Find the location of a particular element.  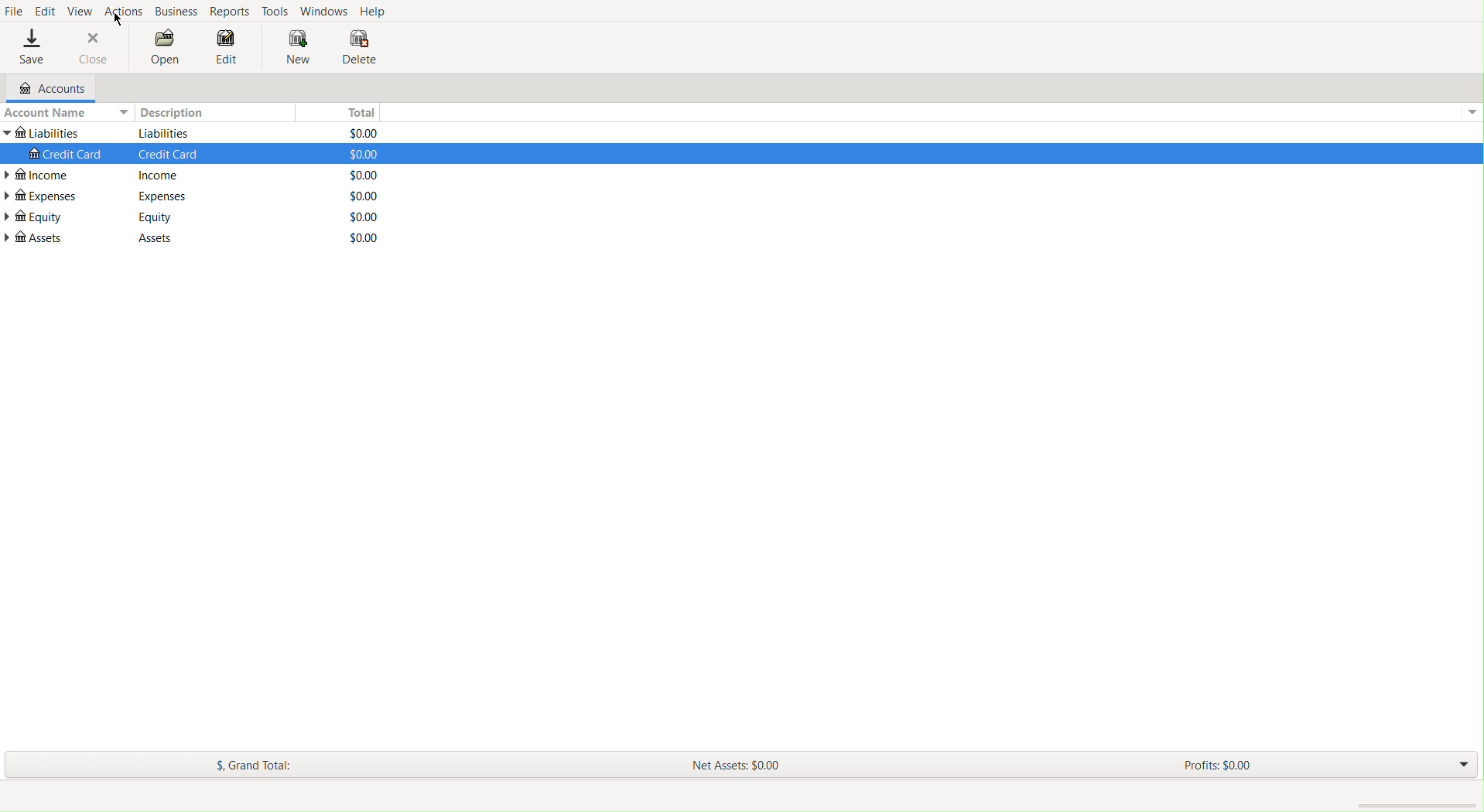

Total is located at coordinates (362, 133).